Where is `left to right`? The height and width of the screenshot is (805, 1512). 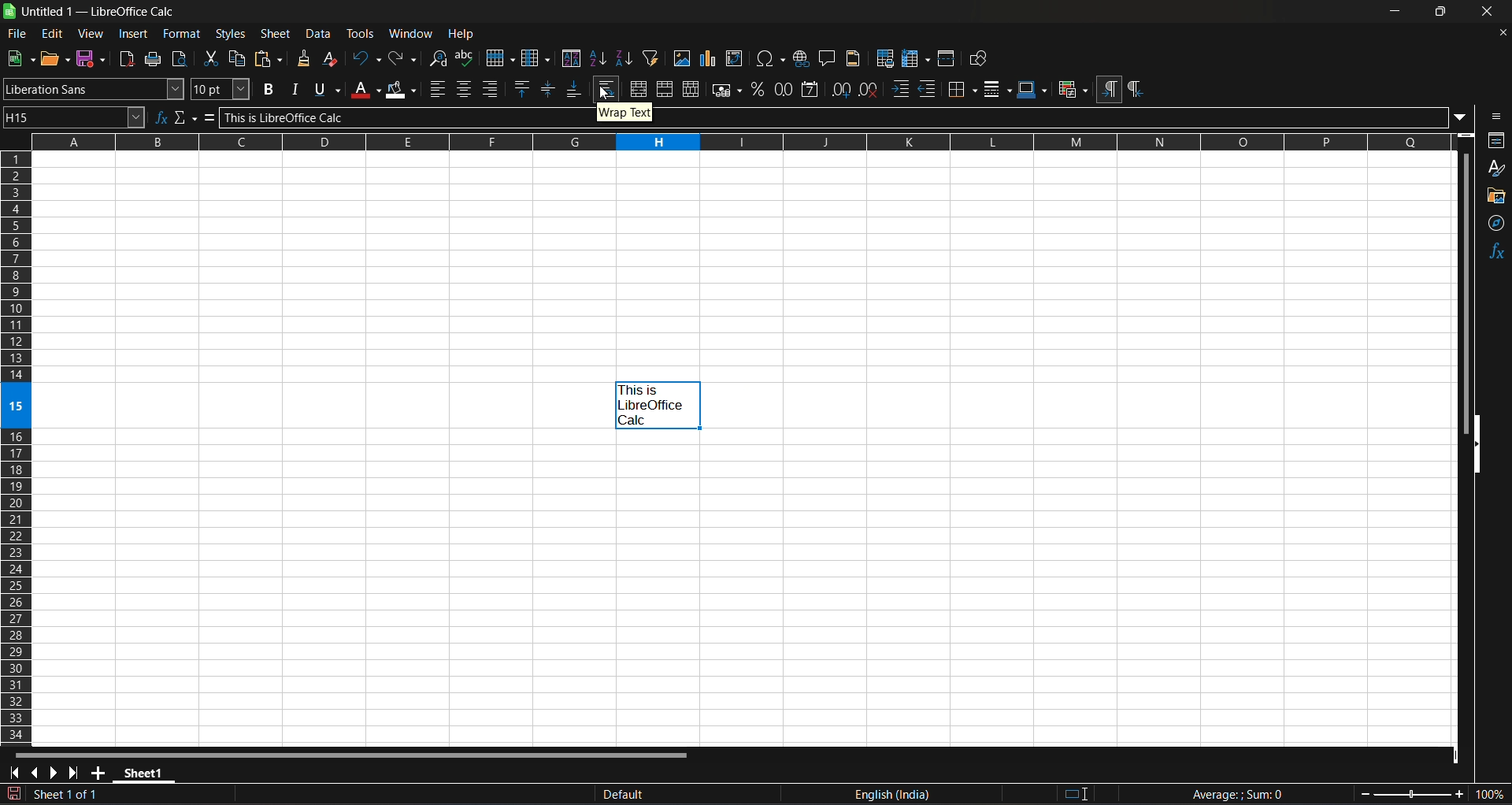
left to right is located at coordinates (1109, 90).